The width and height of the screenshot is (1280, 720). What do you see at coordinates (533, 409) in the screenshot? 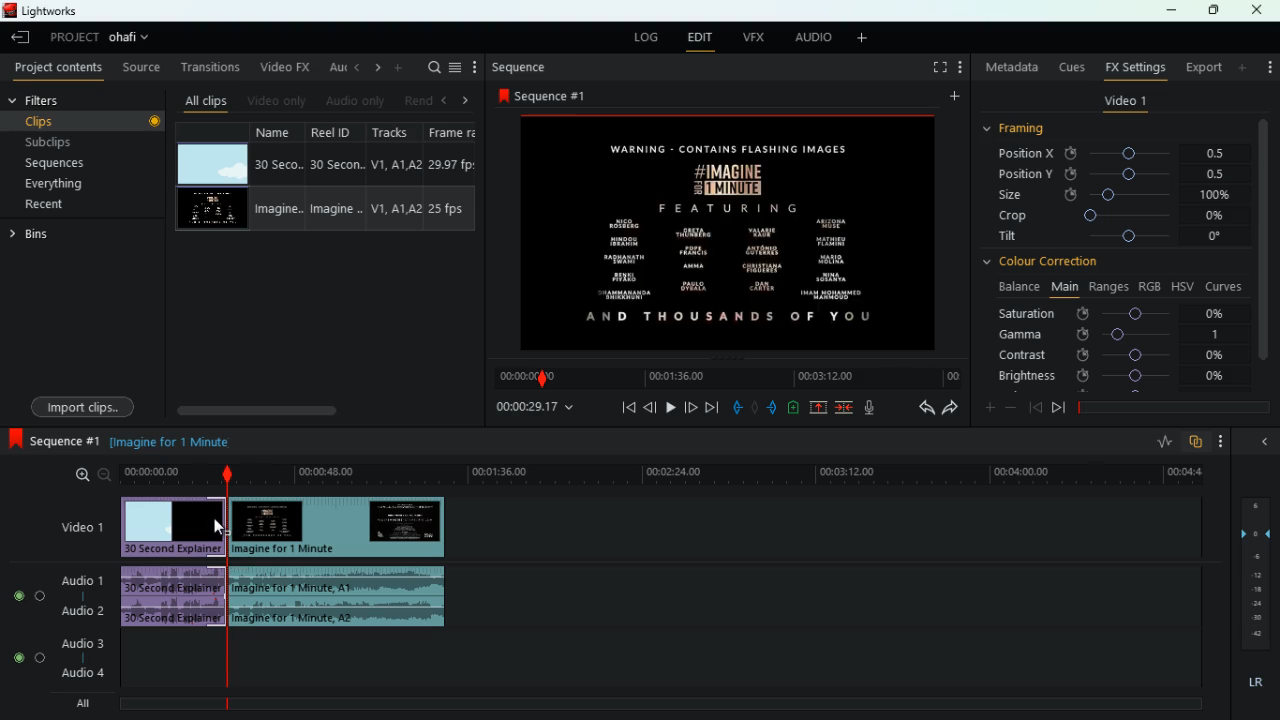
I see `time` at bounding box center [533, 409].